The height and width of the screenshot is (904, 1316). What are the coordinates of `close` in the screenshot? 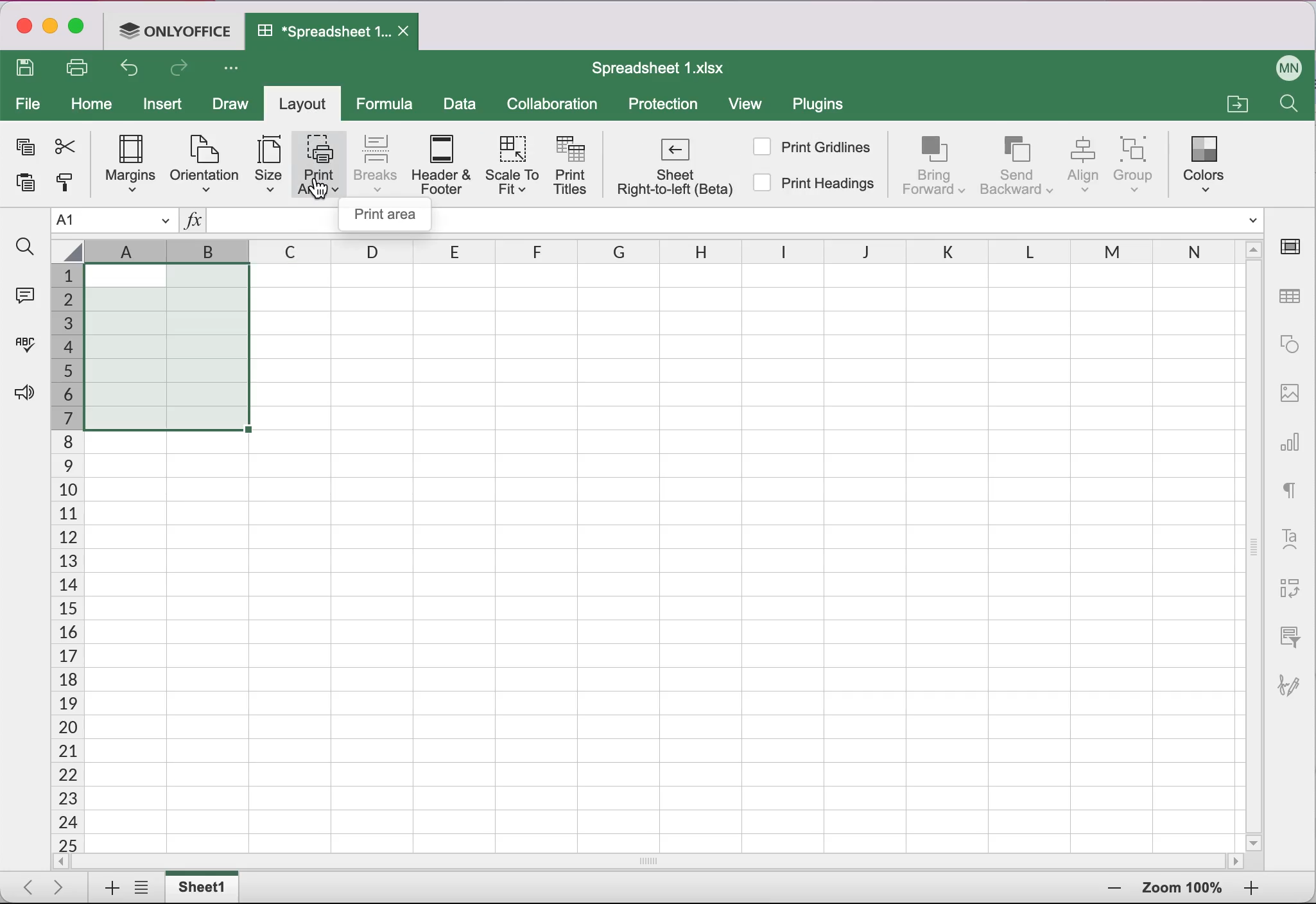 It's located at (22, 28).